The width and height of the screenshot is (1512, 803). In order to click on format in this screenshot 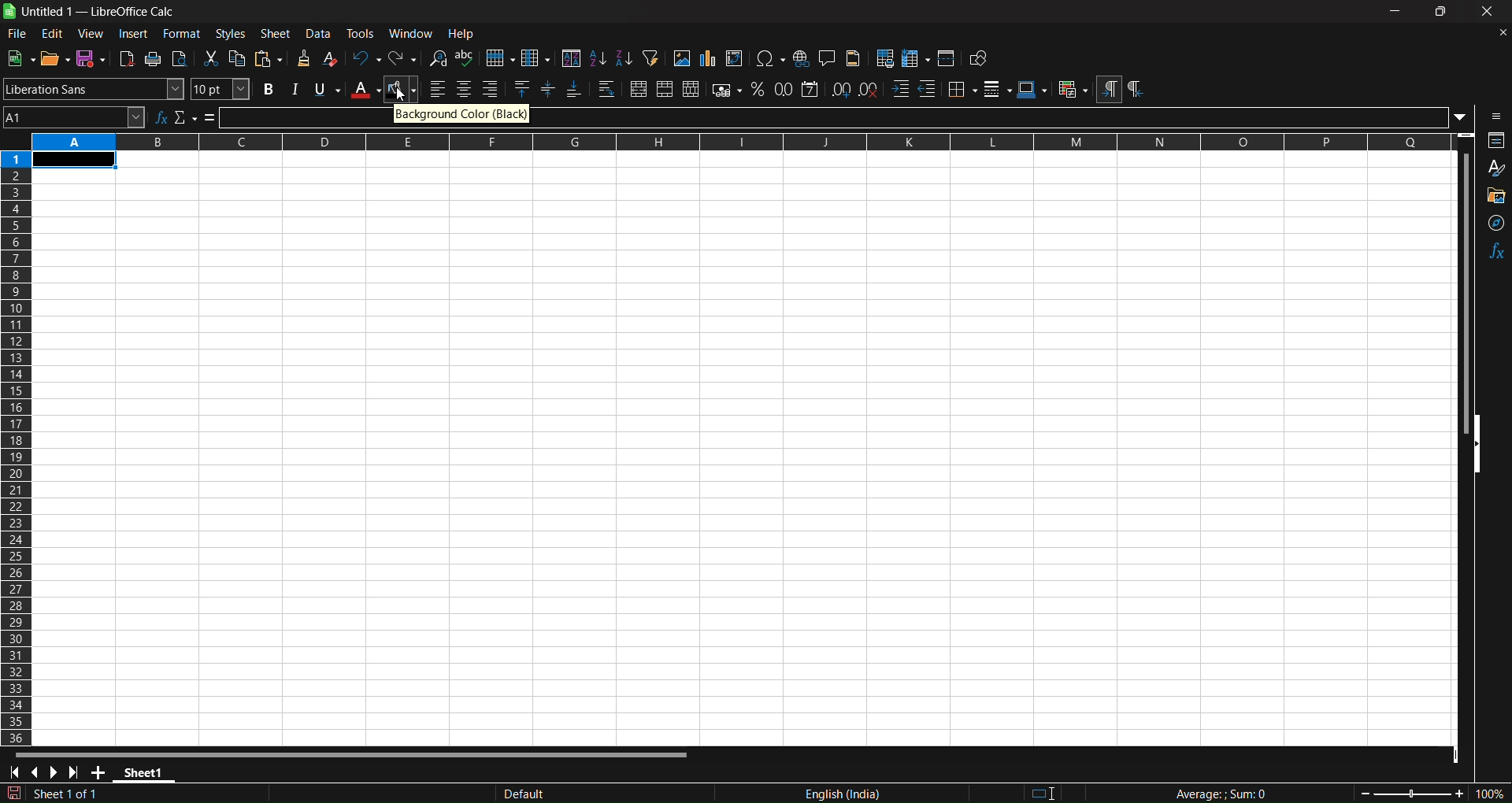, I will do `click(182, 34)`.